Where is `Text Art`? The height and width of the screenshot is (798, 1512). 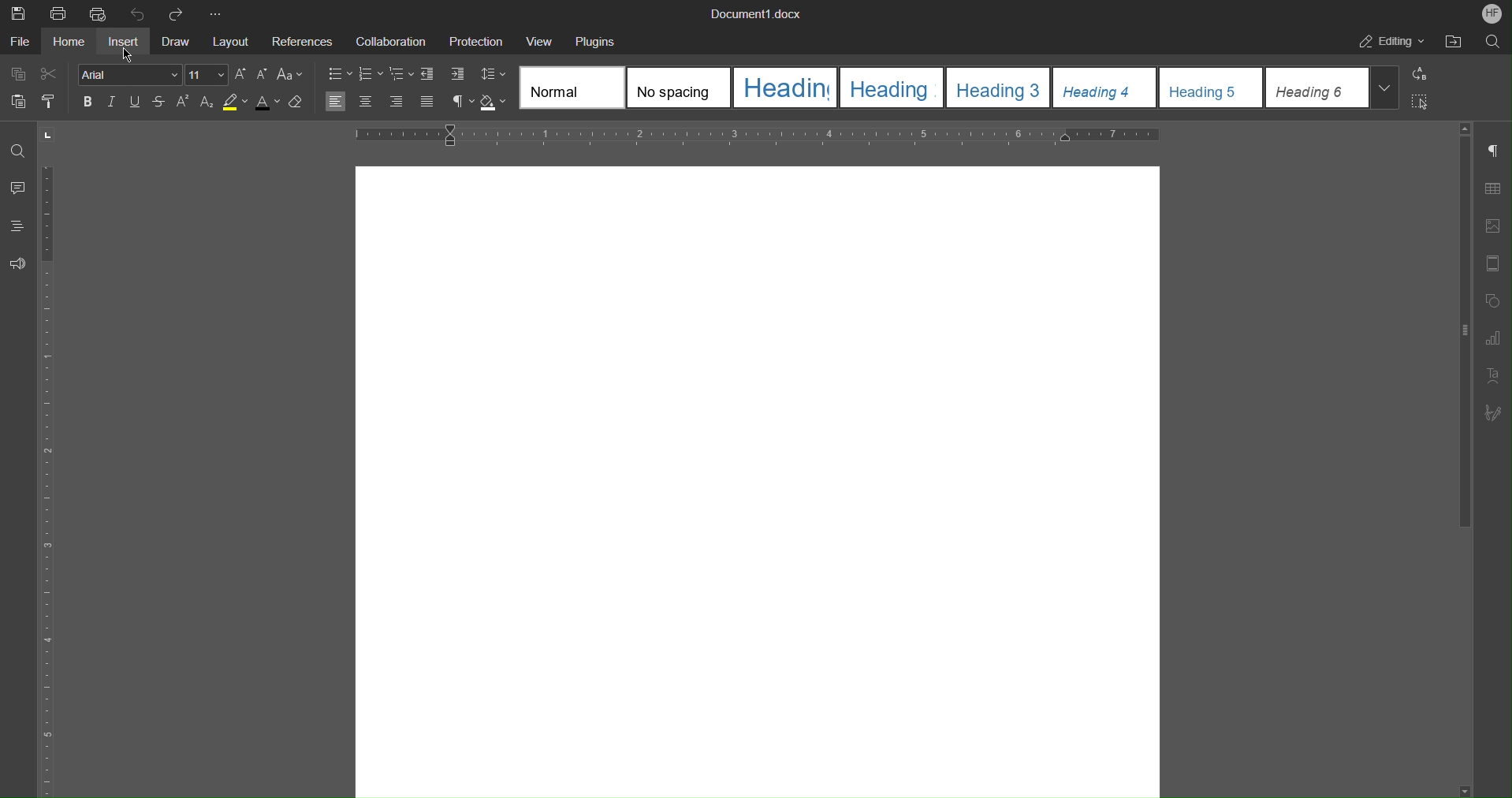
Text Art is located at coordinates (1496, 376).